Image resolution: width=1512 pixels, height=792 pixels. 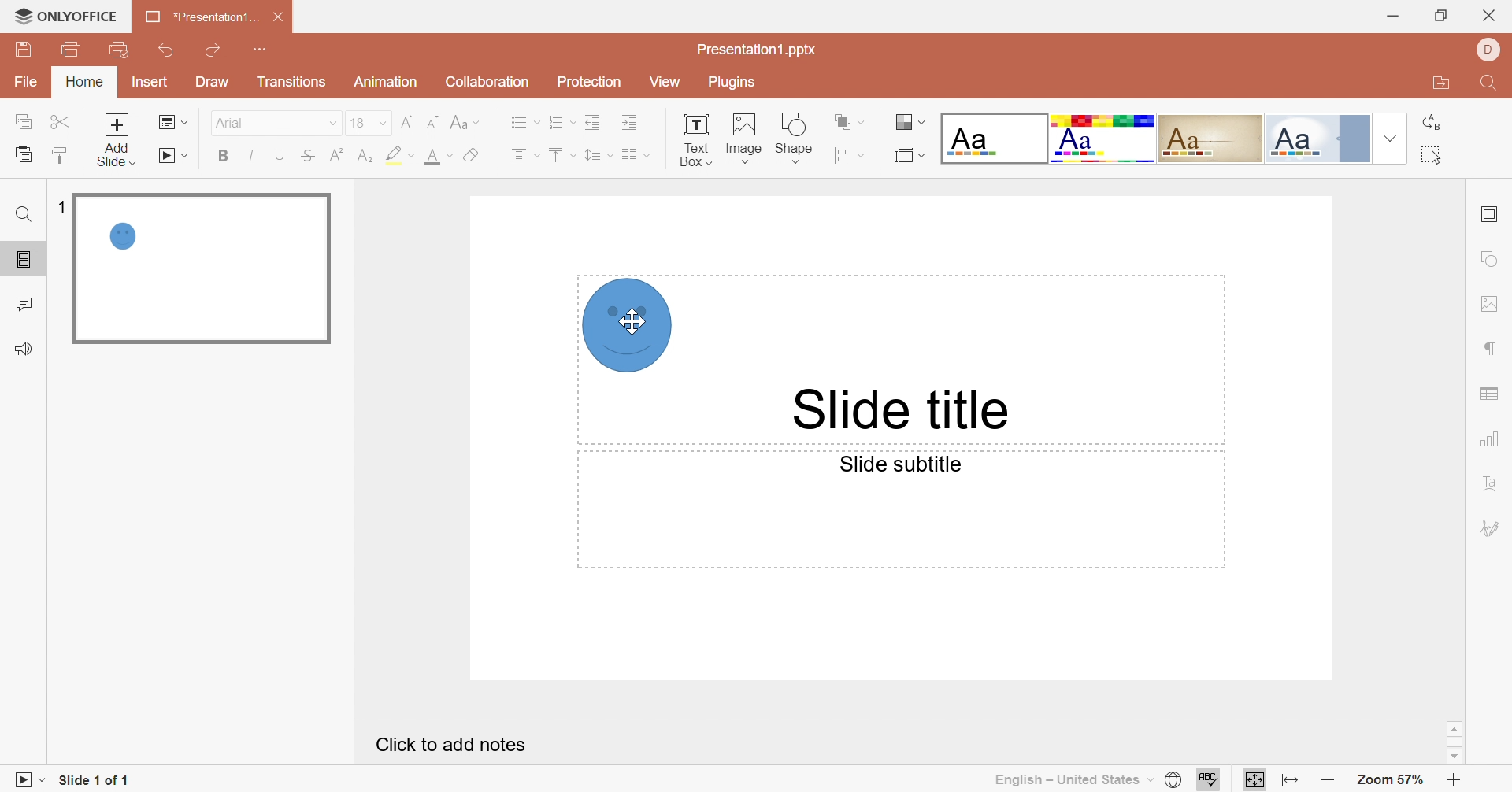 What do you see at coordinates (1493, 214) in the screenshot?
I see `slide settings` at bounding box center [1493, 214].